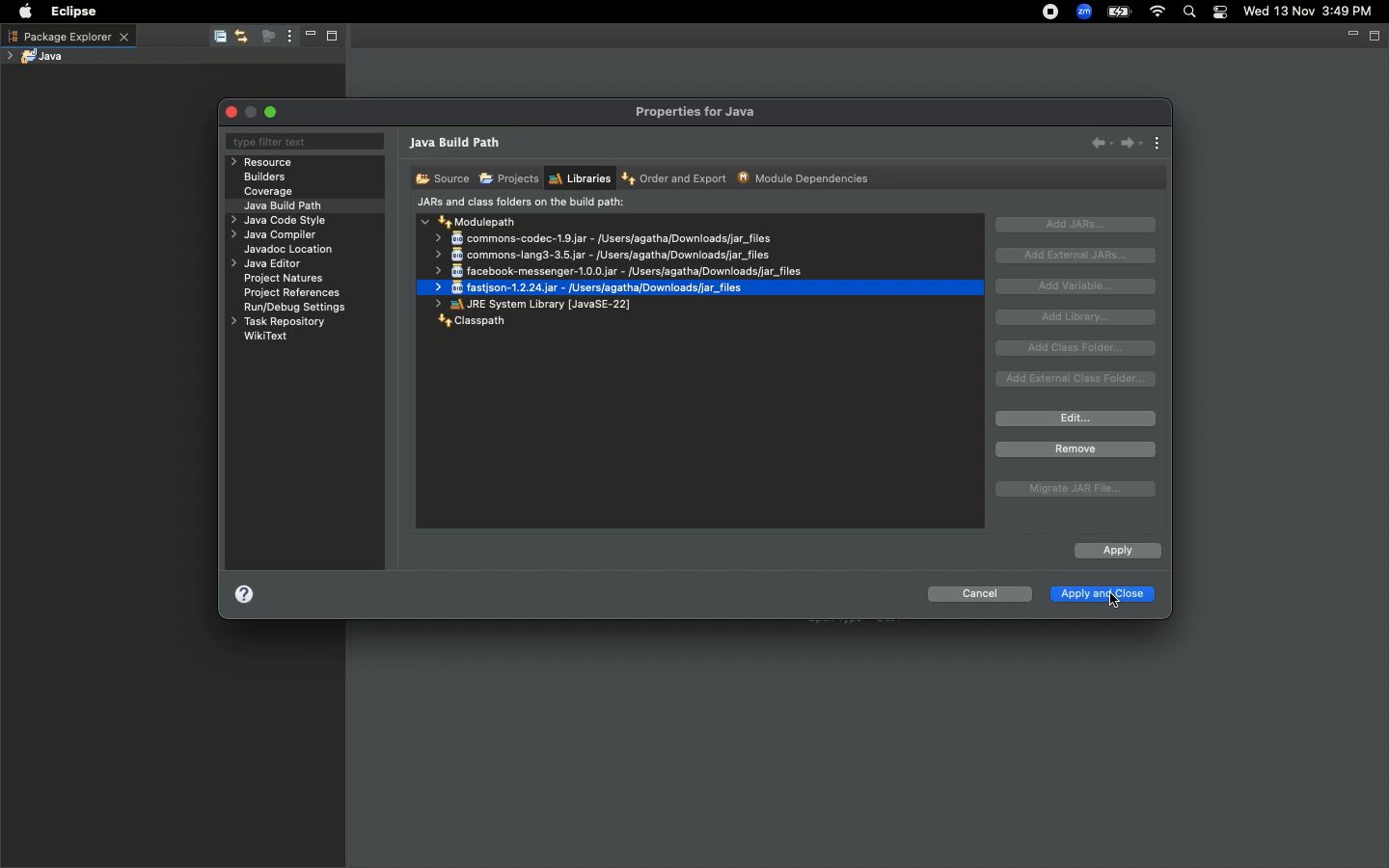 This screenshot has height=868, width=1389. What do you see at coordinates (1077, 348) in the screenshot?
I see `Add class folder` at bounding box center [1077, 348].